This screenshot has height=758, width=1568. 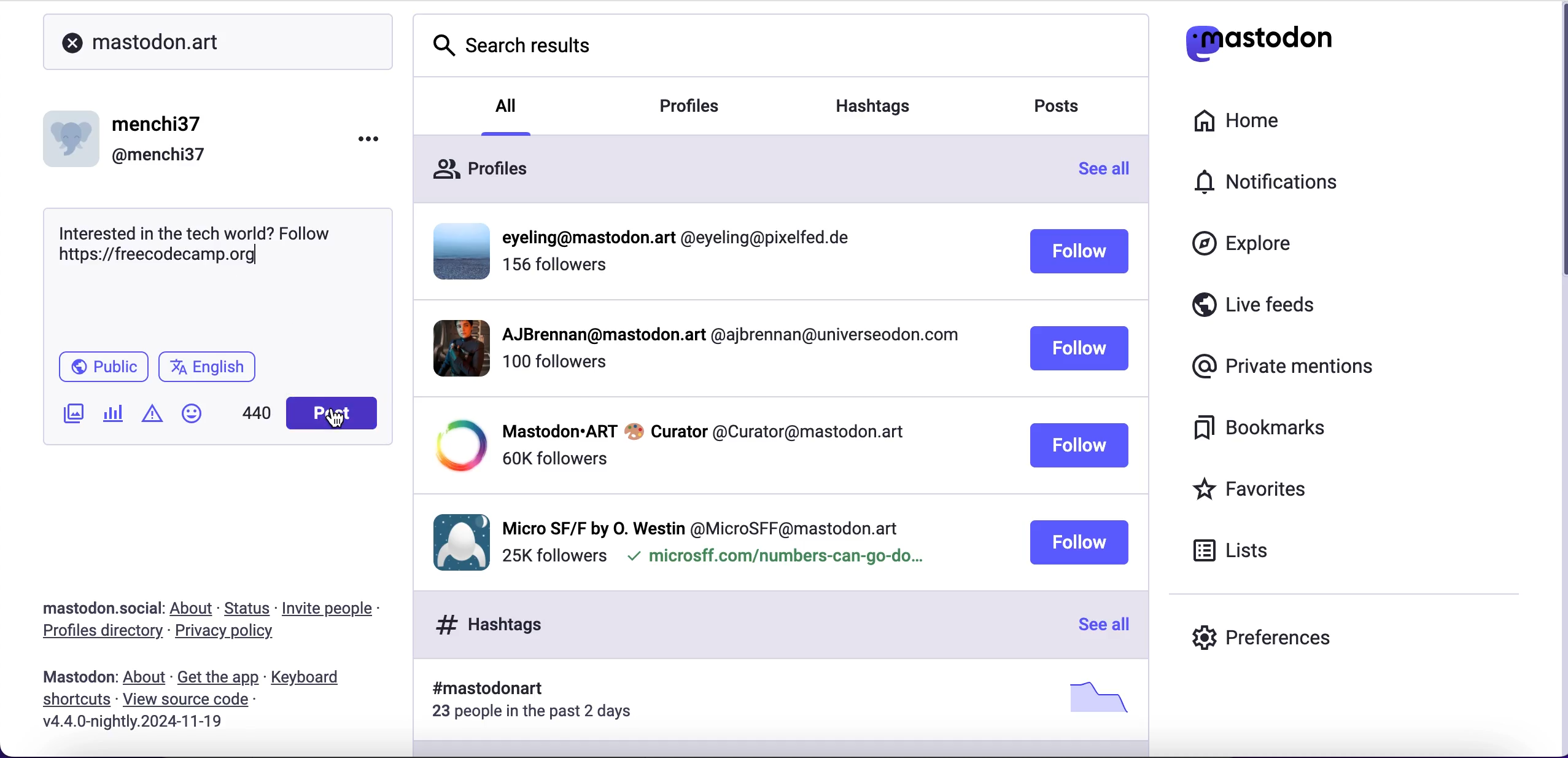 I want to click on public, so click(x=103, y=369).